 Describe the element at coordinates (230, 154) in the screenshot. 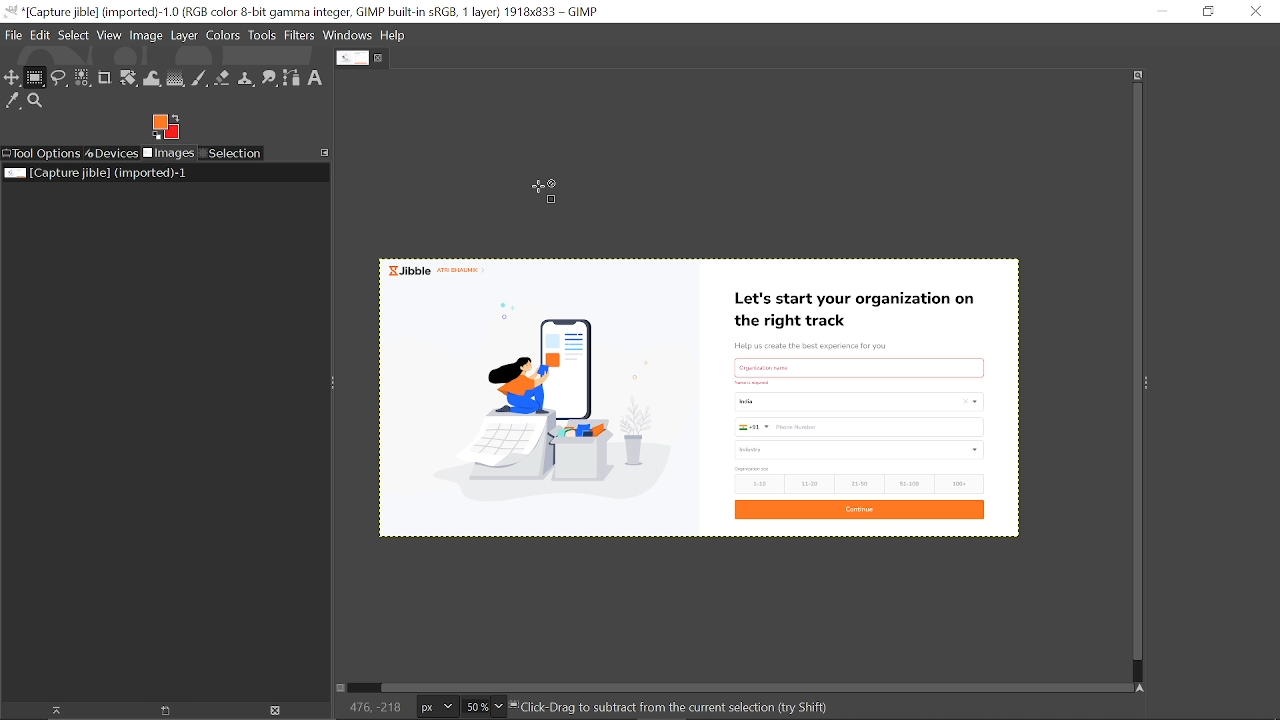

I see `Selection` at that location.